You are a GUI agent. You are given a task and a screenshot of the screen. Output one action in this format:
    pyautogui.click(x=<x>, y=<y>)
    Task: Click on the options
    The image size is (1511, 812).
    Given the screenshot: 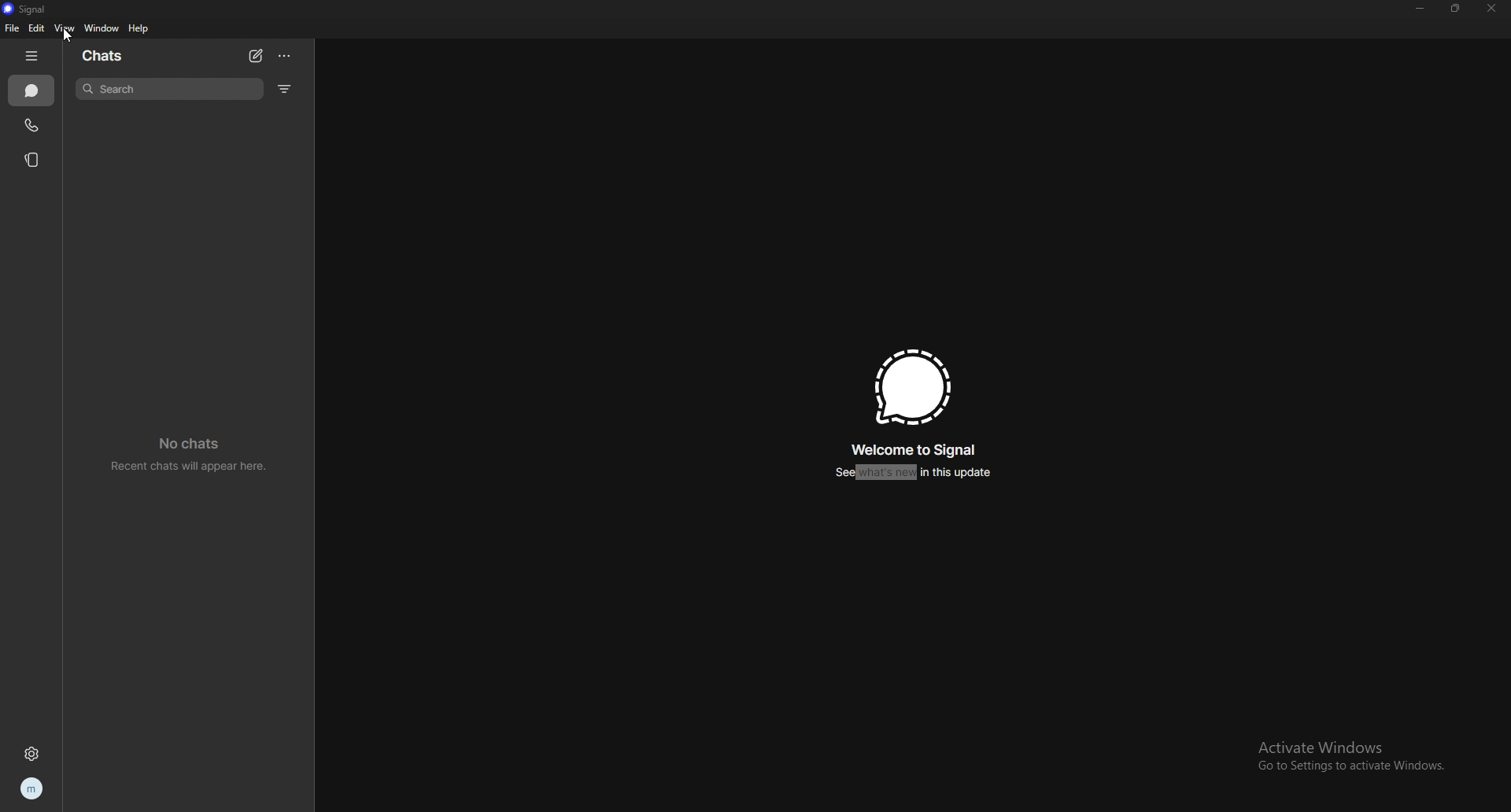 What is the action you would take?
    pyautogui.click(x=284, y=56)
    